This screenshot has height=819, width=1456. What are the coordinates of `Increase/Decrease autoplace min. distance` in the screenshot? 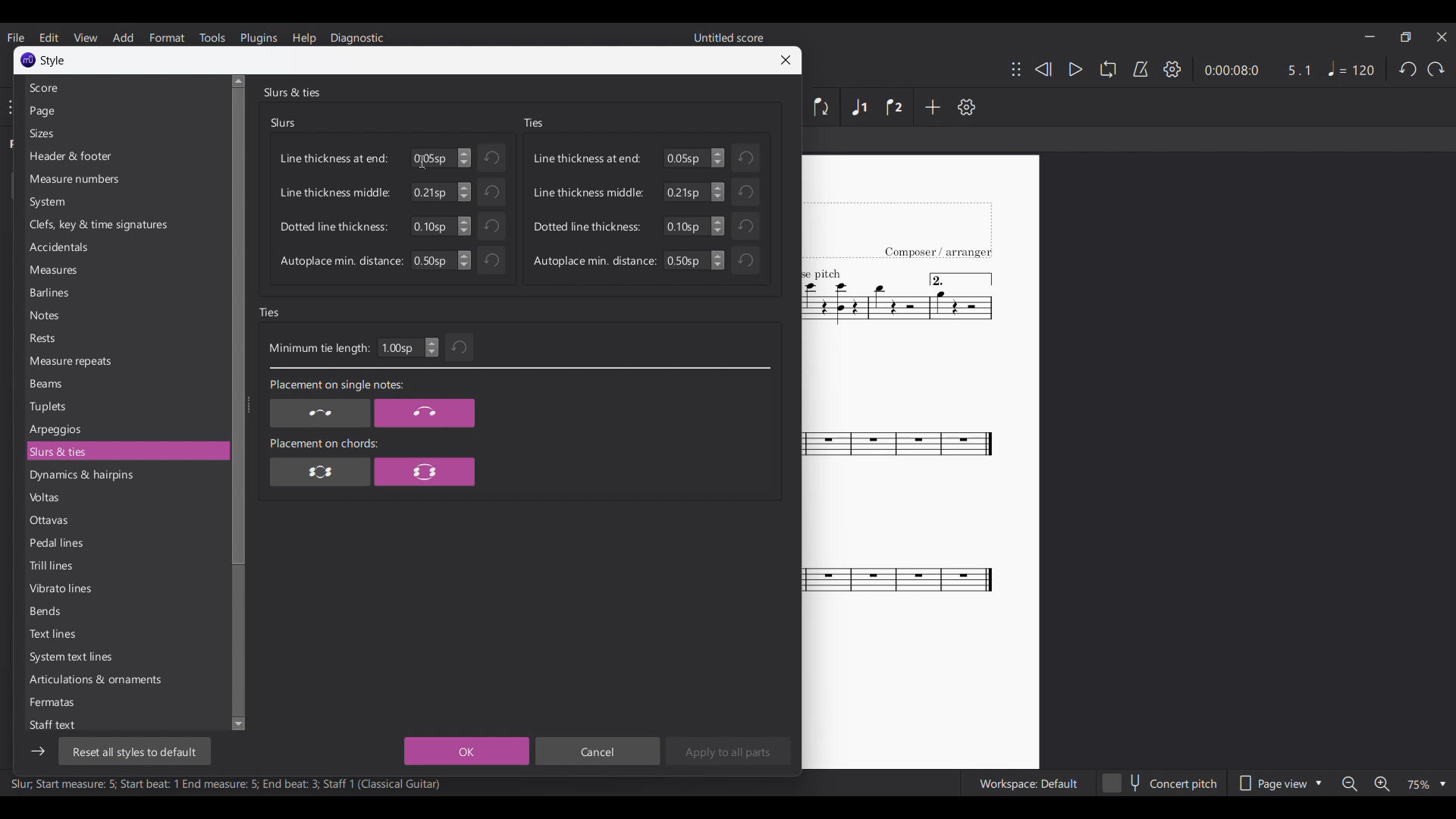 It's located at (464, 260).